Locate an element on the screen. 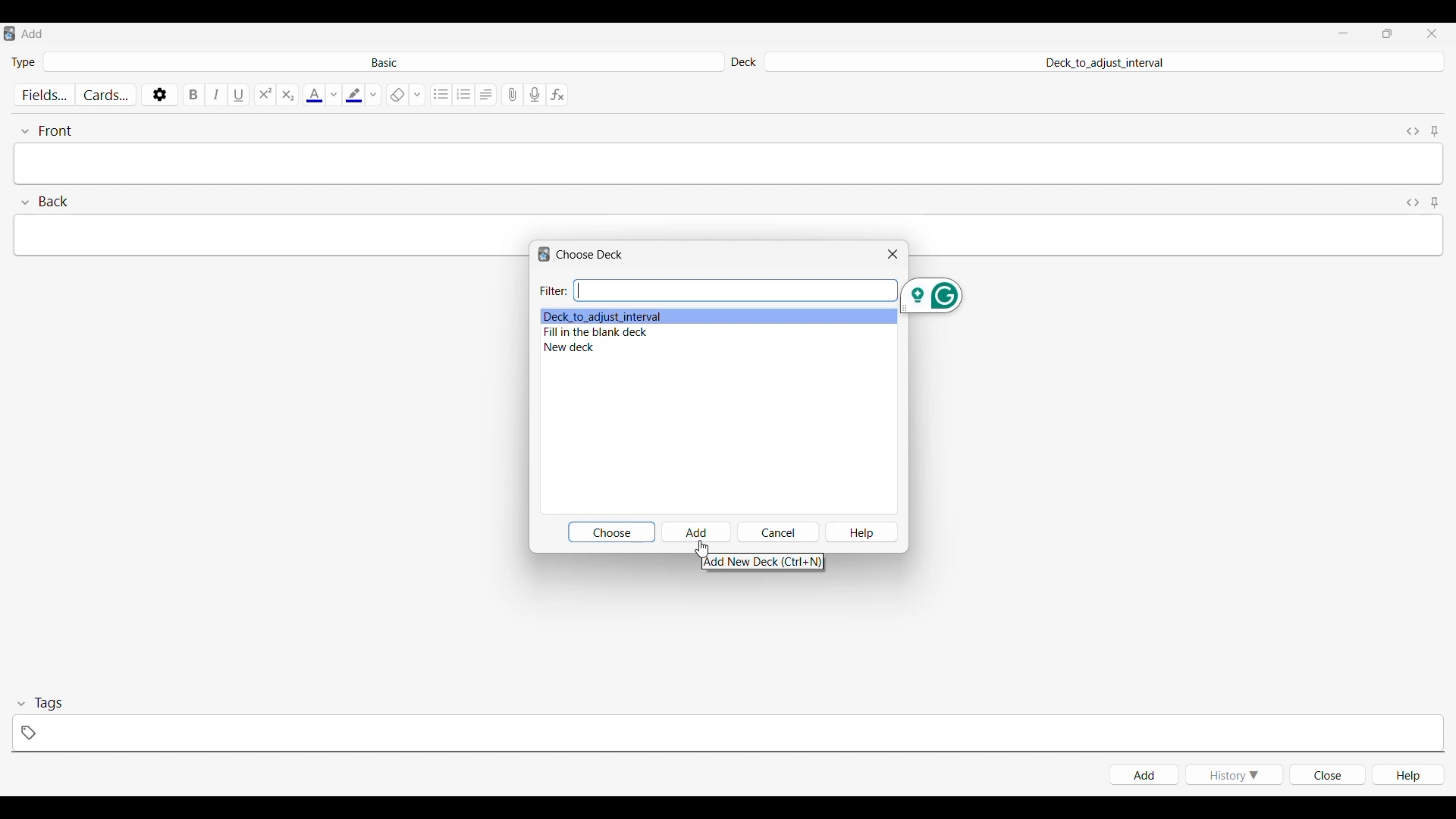  Underline  is located at coordinates (240, 94).